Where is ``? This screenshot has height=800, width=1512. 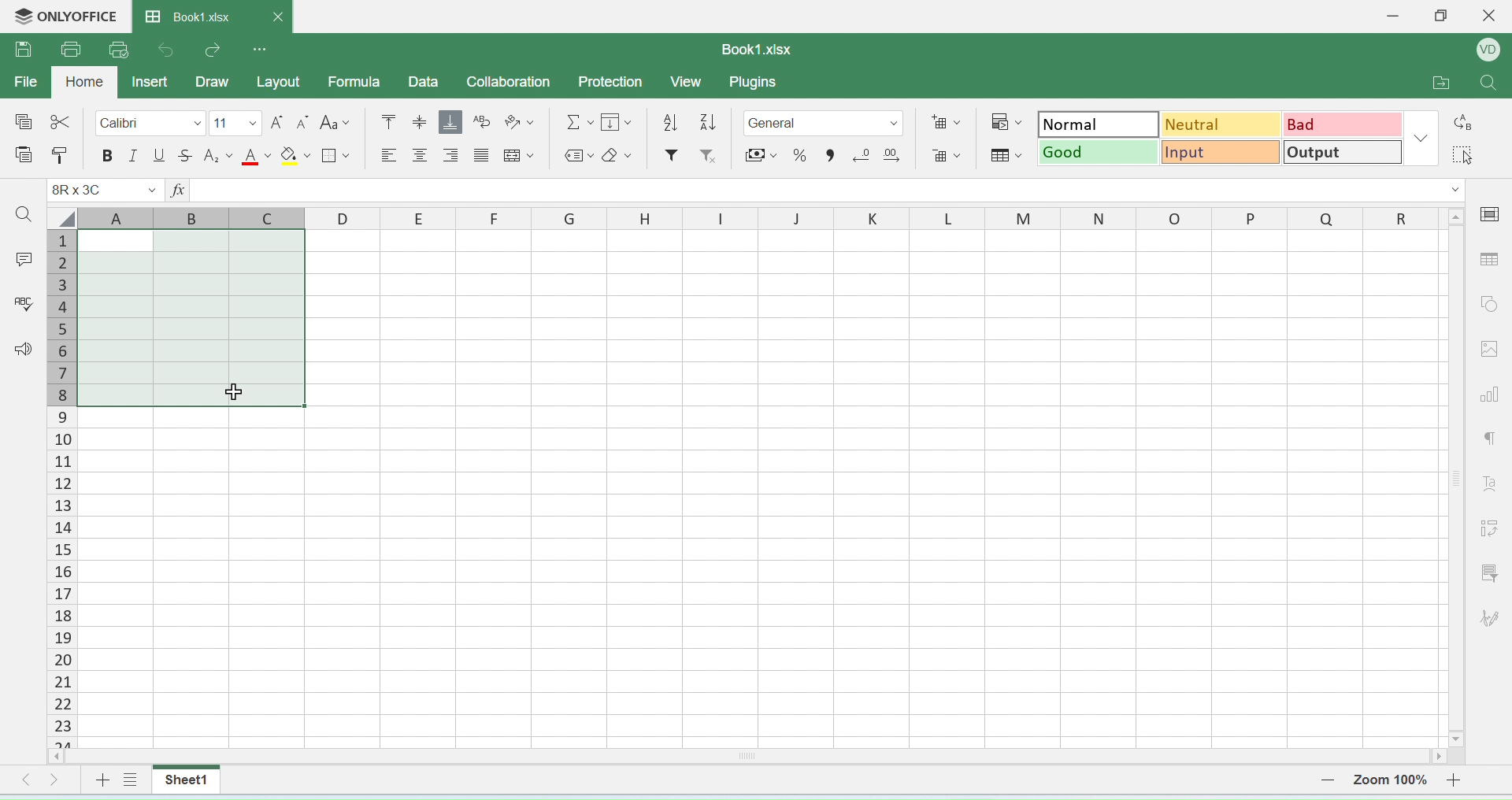
 is located at coordinates (306, 121).